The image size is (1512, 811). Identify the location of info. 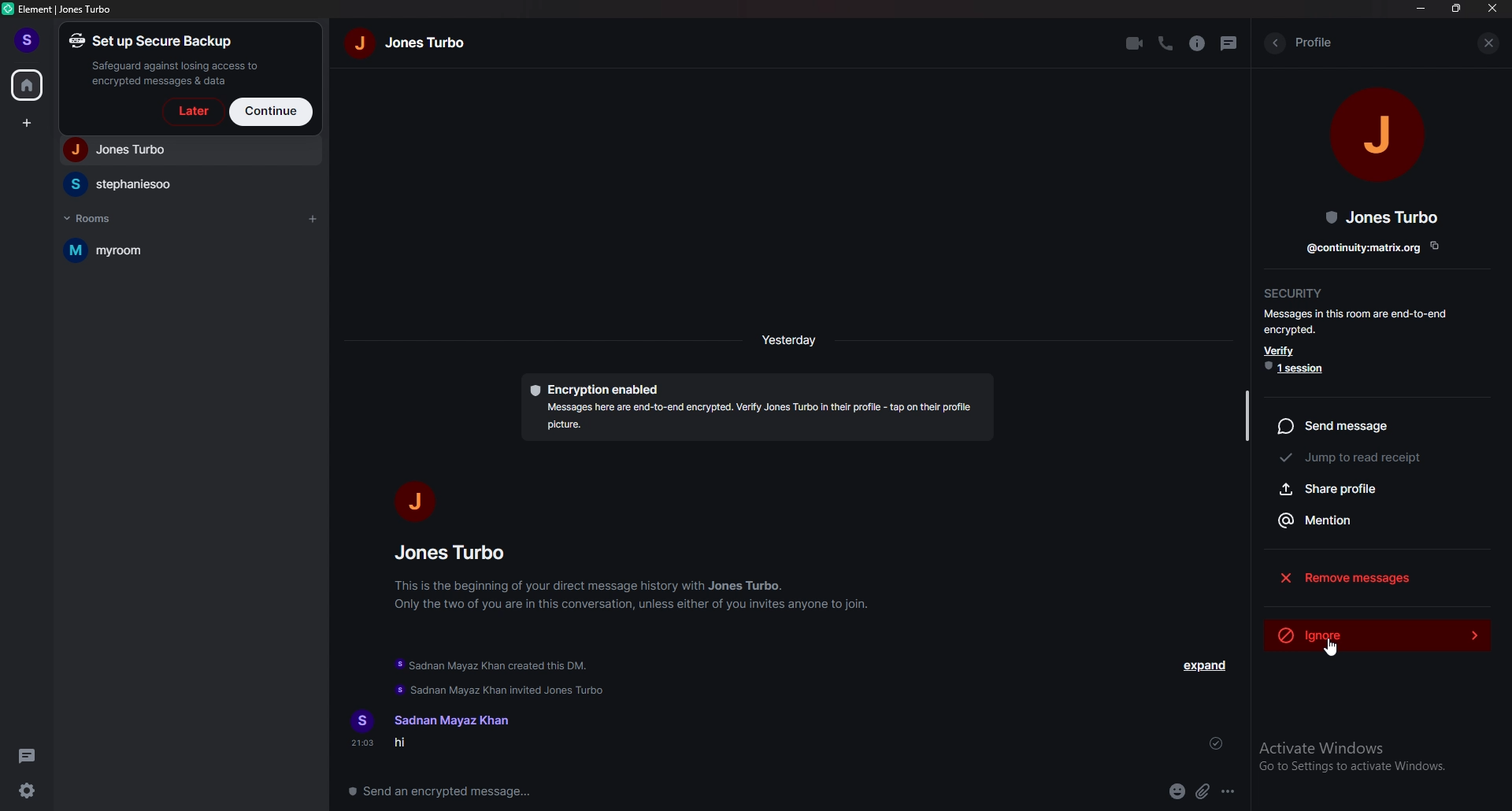
(634, 594).